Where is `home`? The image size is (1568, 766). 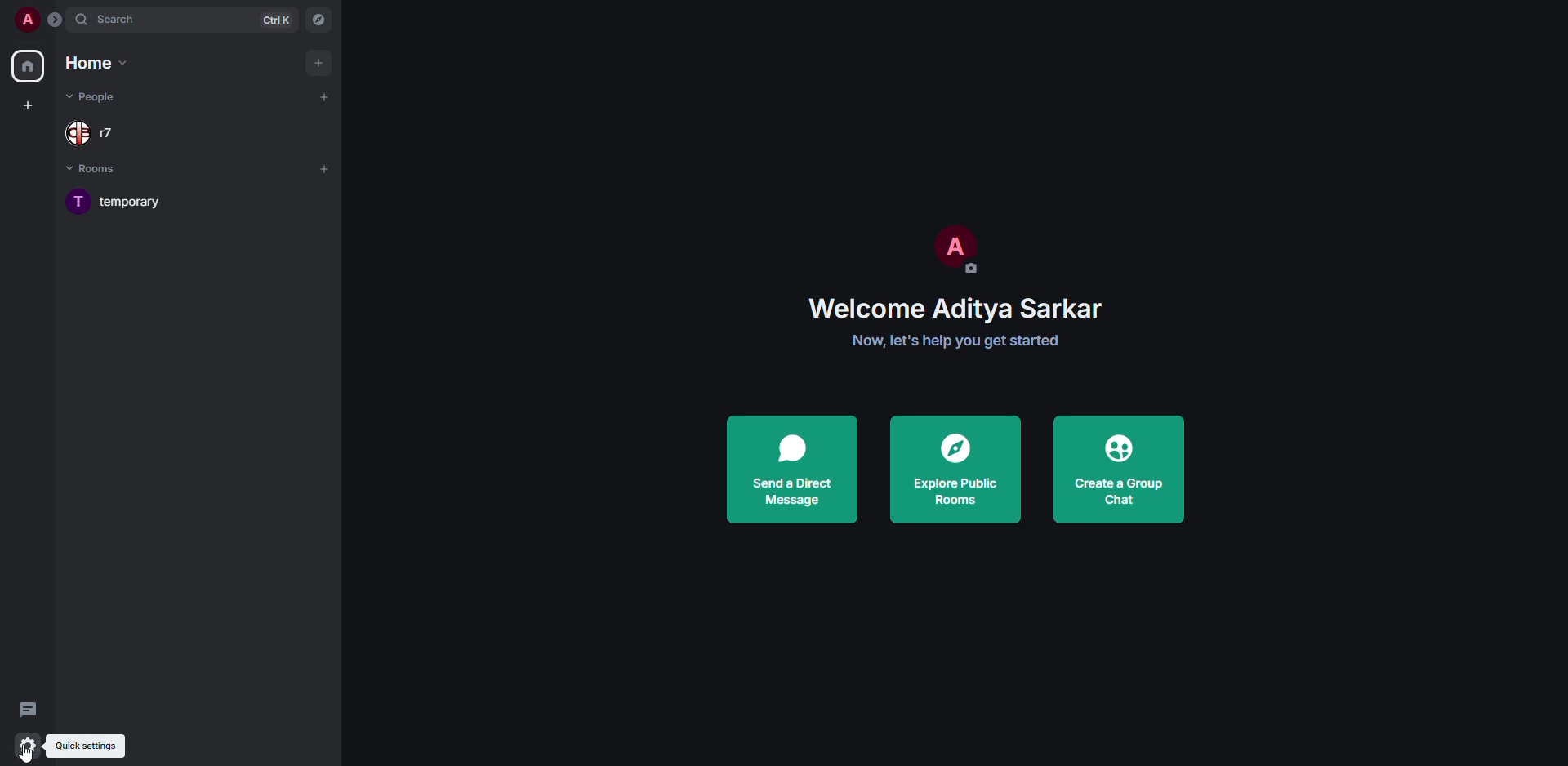 home is located at coordinates (30, 69).